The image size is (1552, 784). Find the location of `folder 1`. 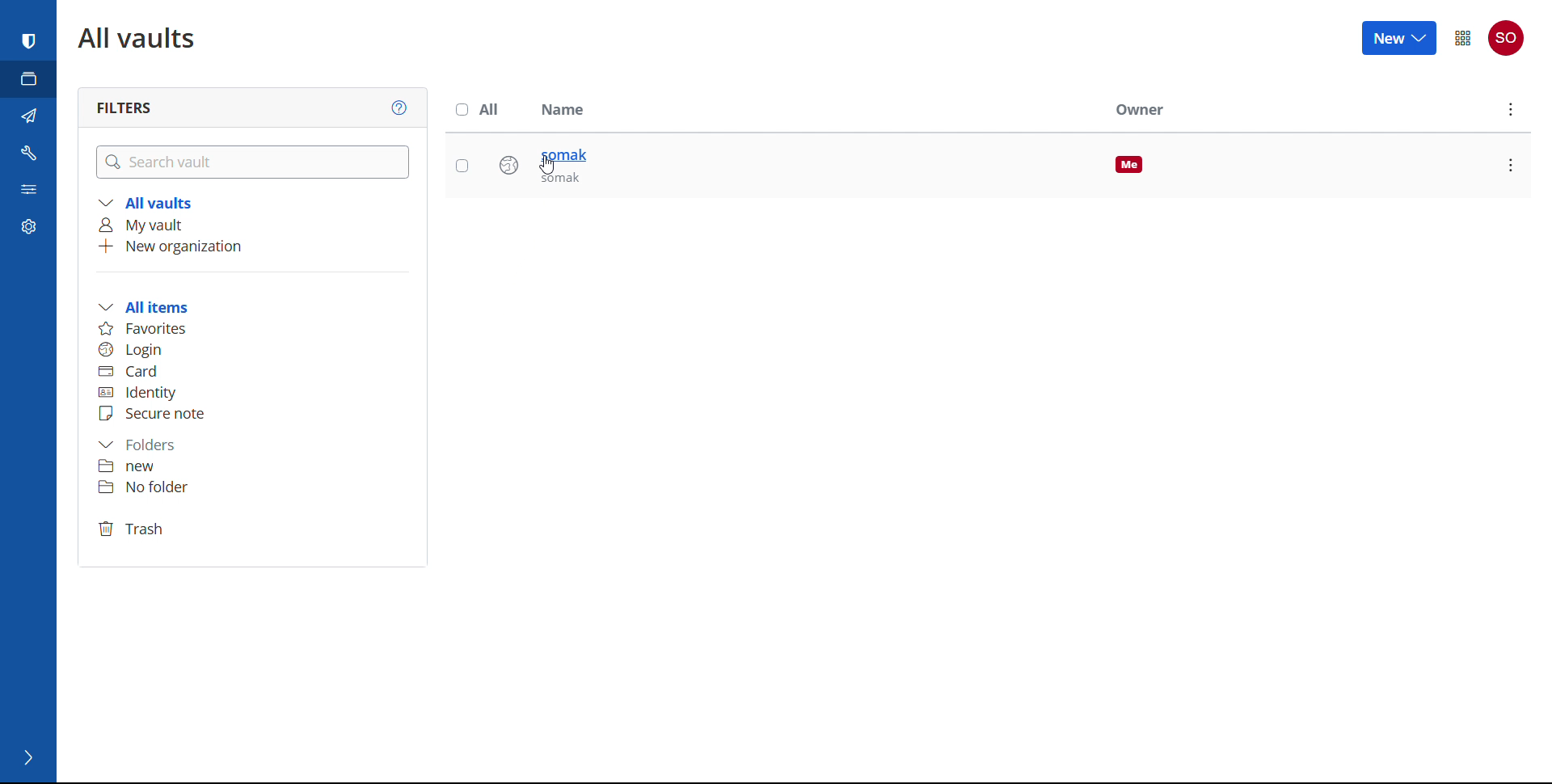

folder 1 is located at coordinates (247, 465).